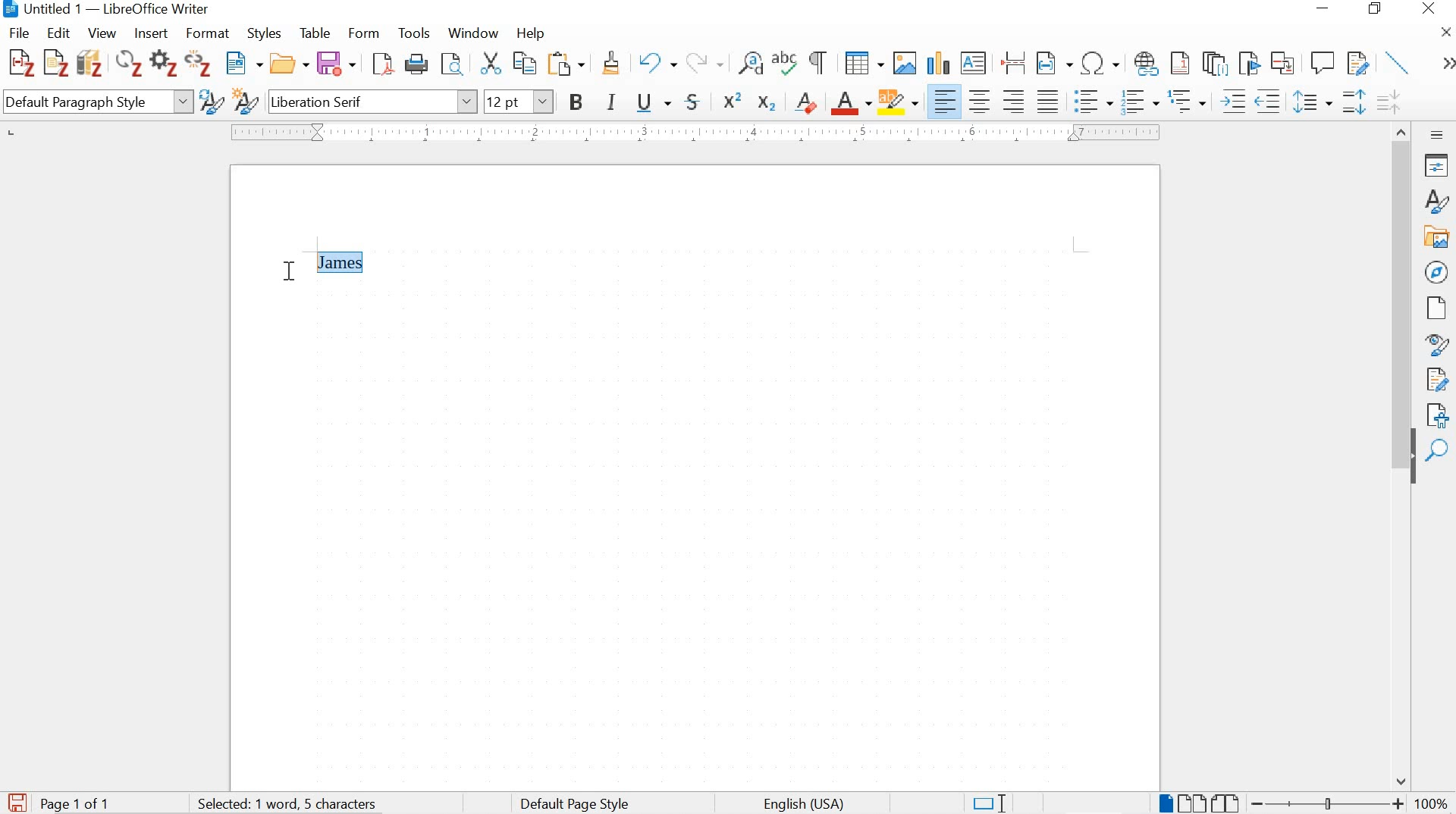 The width and height of the screenshot is (1456, 814). I want to click on window, so click(472, 35).